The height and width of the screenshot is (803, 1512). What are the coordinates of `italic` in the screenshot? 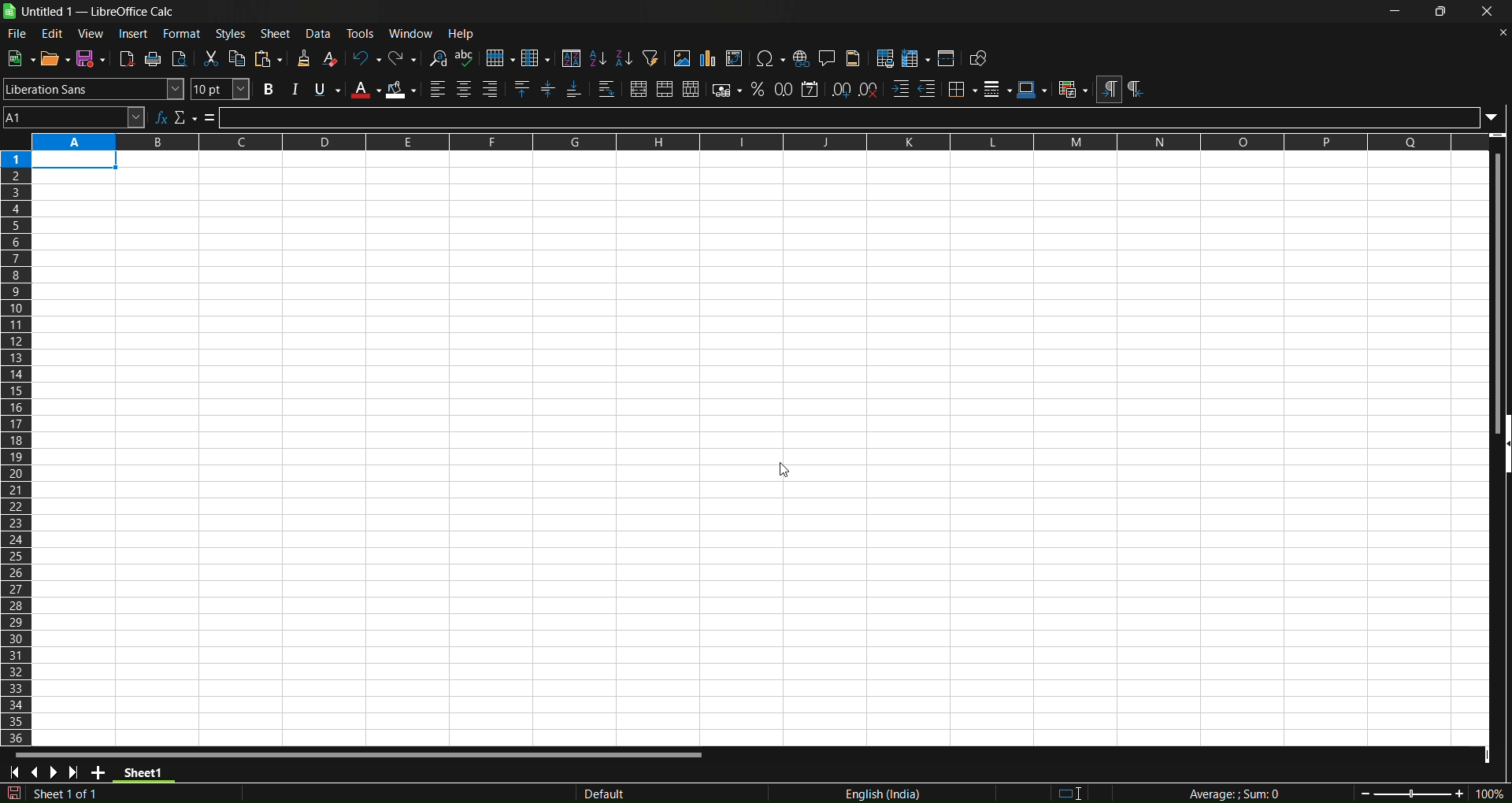 It's located at (294, 89).